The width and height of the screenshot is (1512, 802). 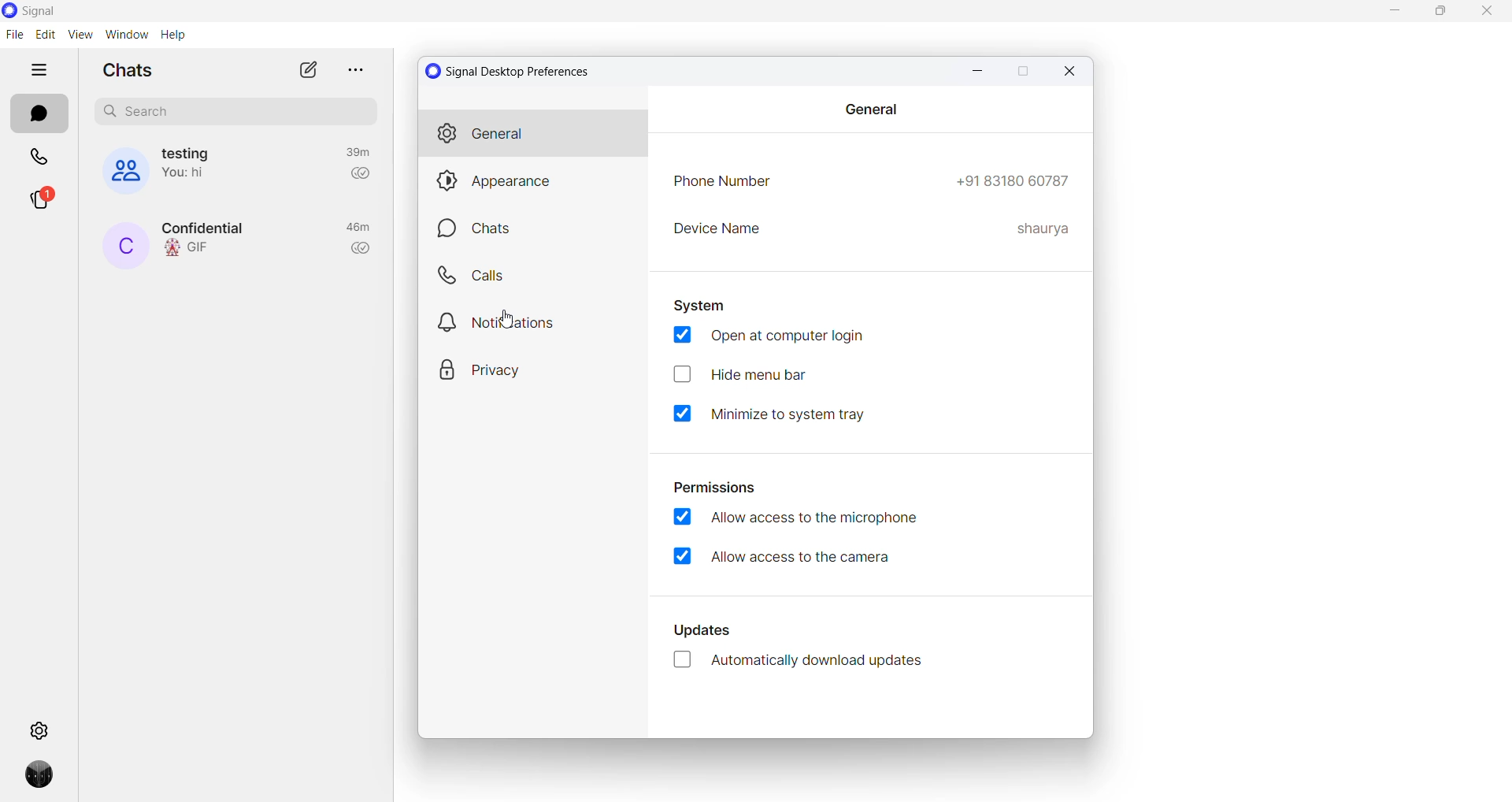 What do you see at coordinates (537, 180) in the screenshot?
I see `appearance` at bounding box center [537, 180].